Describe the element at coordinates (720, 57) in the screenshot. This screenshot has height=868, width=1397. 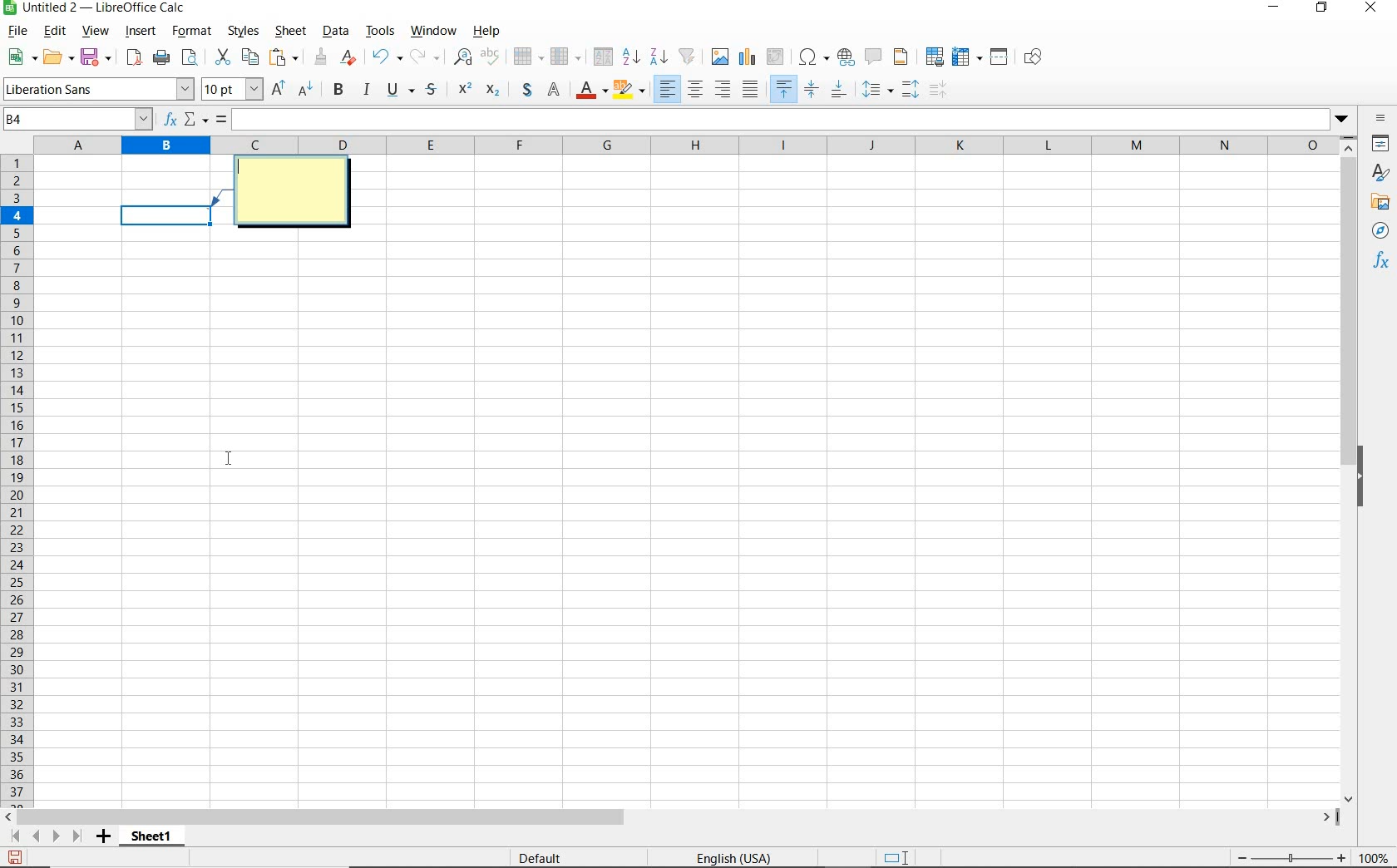
I see `insert image` at that location.